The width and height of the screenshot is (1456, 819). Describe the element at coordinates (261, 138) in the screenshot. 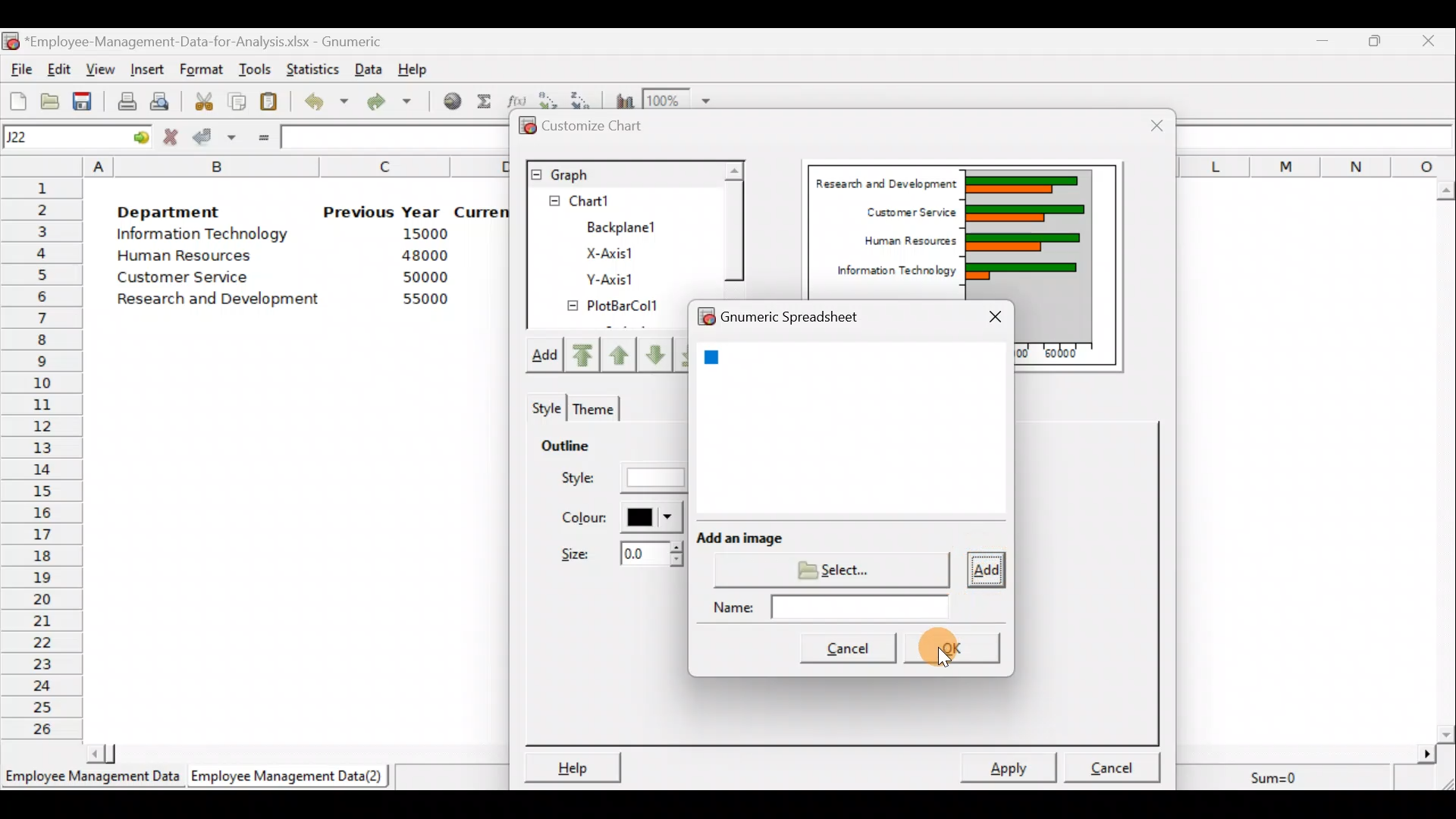

I see `Enter formula` at that location.